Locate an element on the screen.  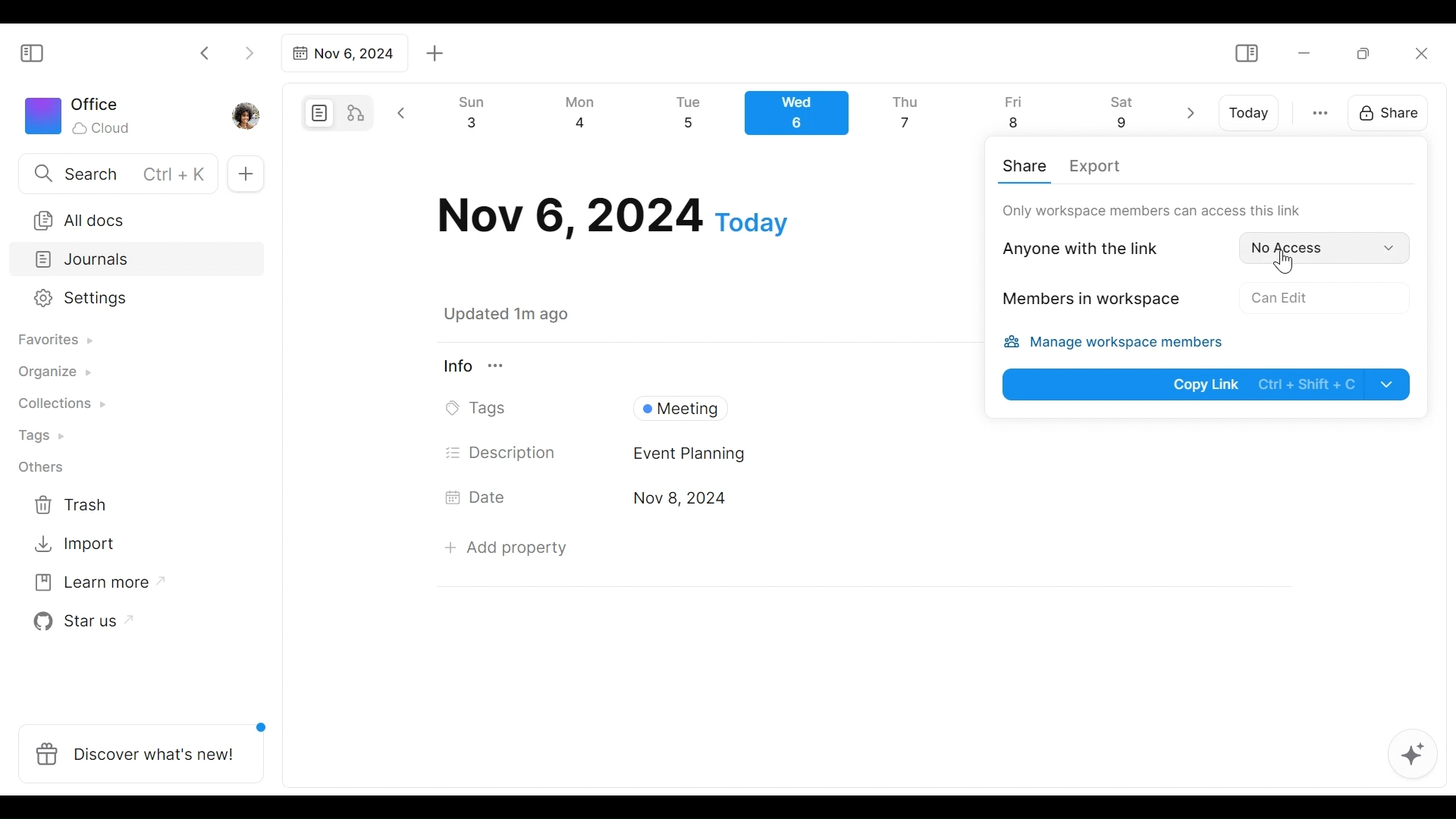
Learn more is located at coordinates (92, 585).